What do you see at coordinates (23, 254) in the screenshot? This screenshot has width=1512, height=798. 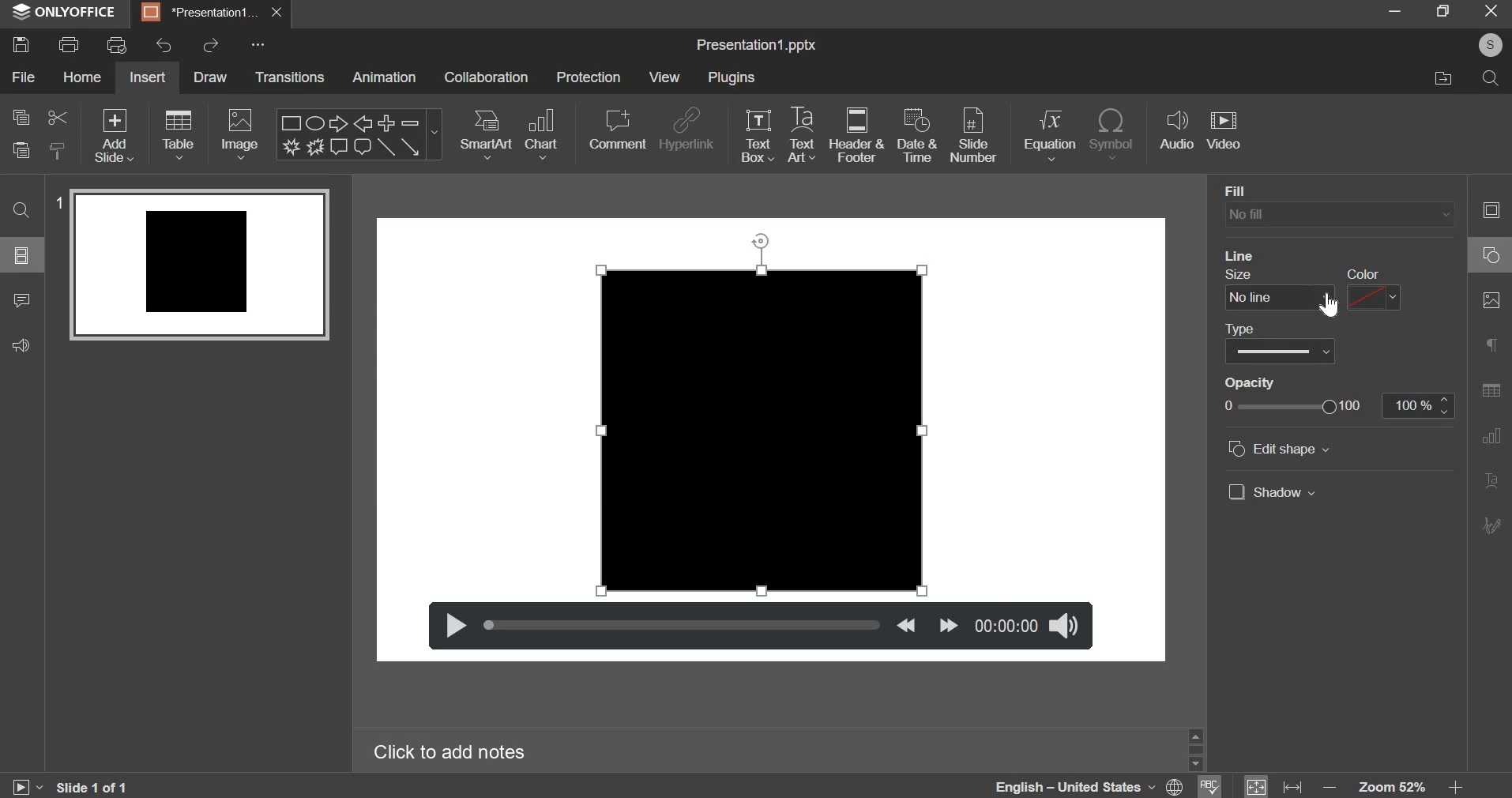 I see `slide menu` at bounding box center [23, 254].